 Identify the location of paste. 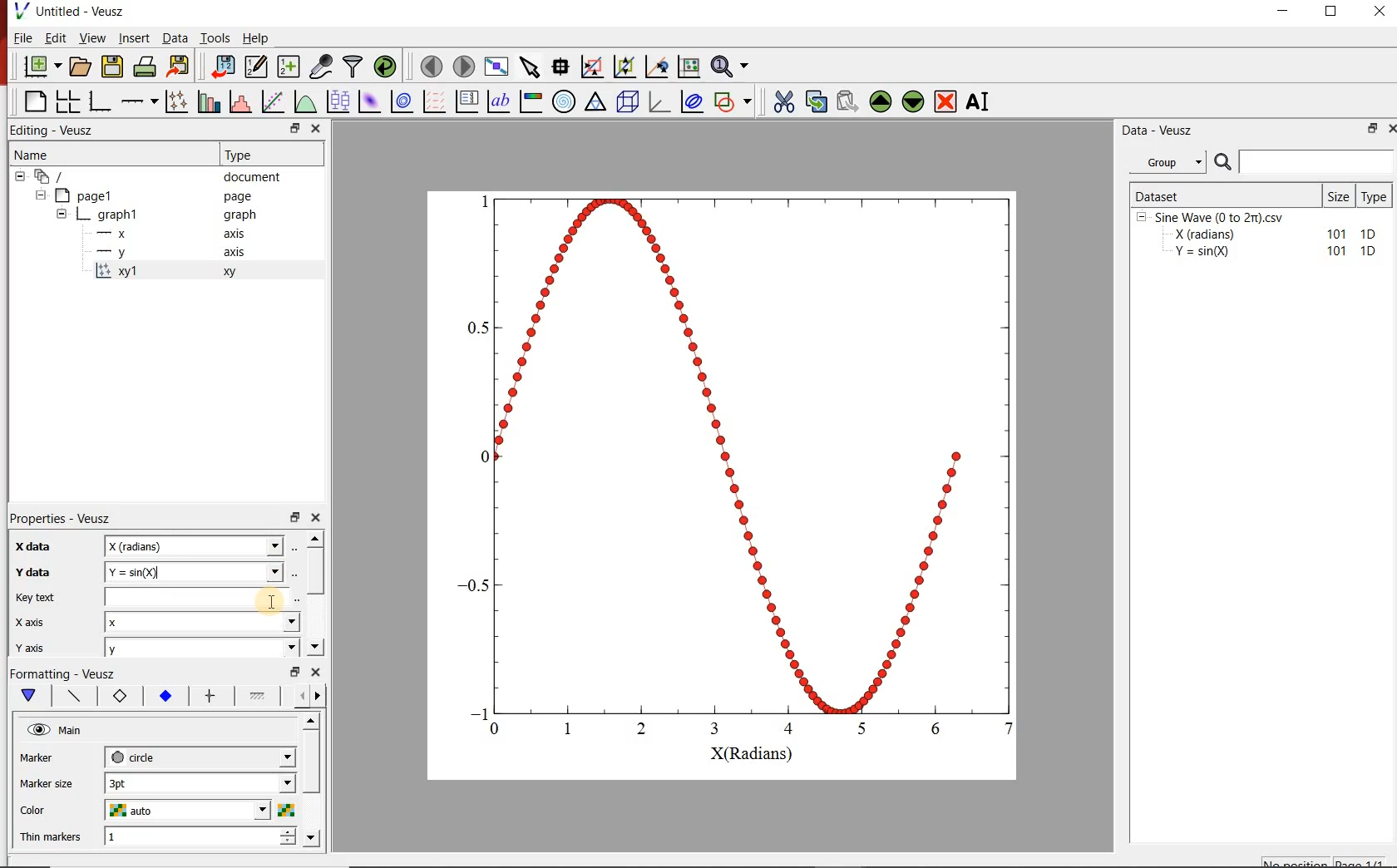
(847, 101).